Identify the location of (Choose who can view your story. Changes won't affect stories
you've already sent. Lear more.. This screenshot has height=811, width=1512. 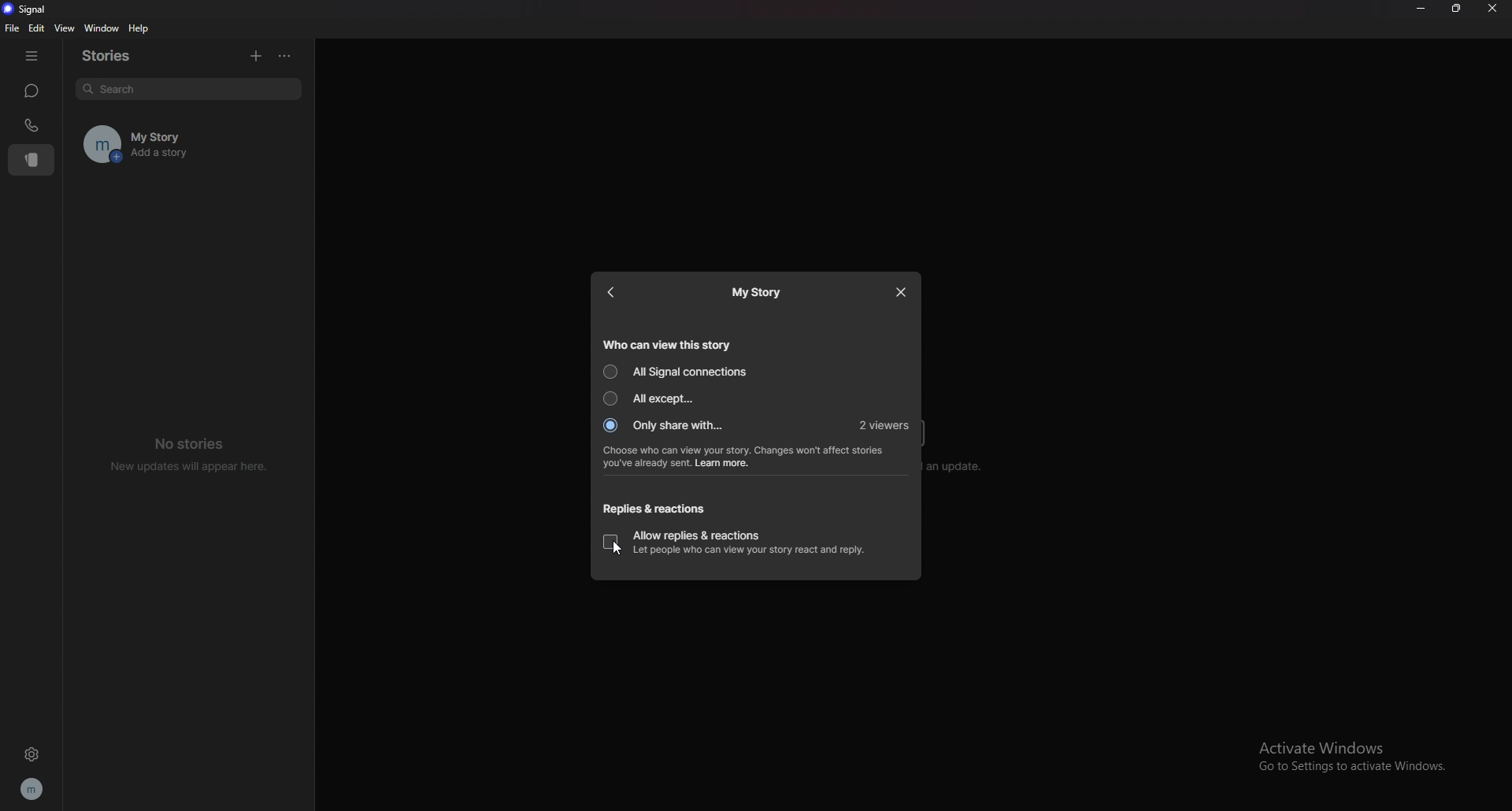
(747, 458).